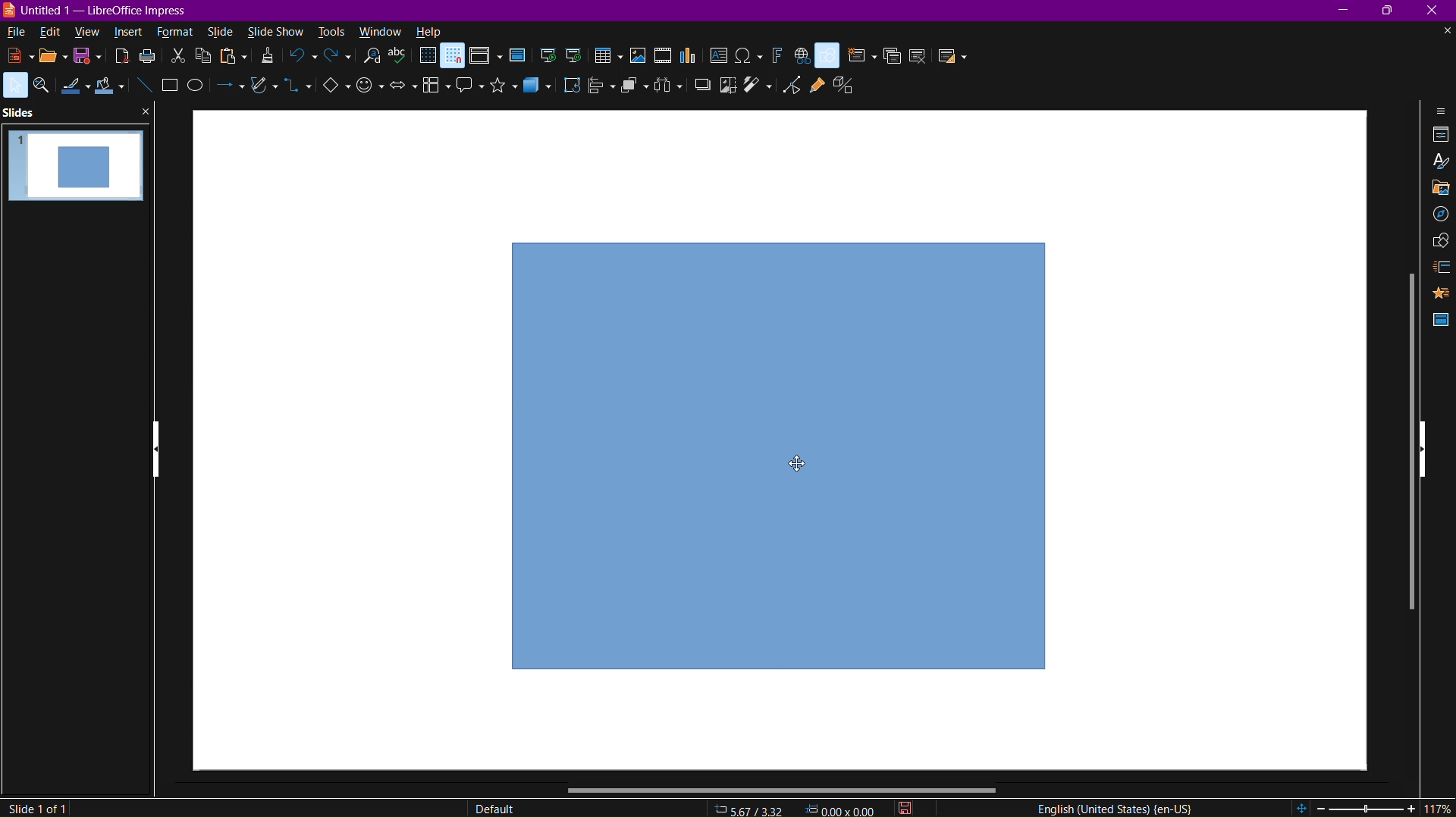 The height and width of the screenshot is (817, 1456). What do you see at coordinates (466, 90) in the screenshot?
I see `Callout Shapes` at bounding box center [466, 90].